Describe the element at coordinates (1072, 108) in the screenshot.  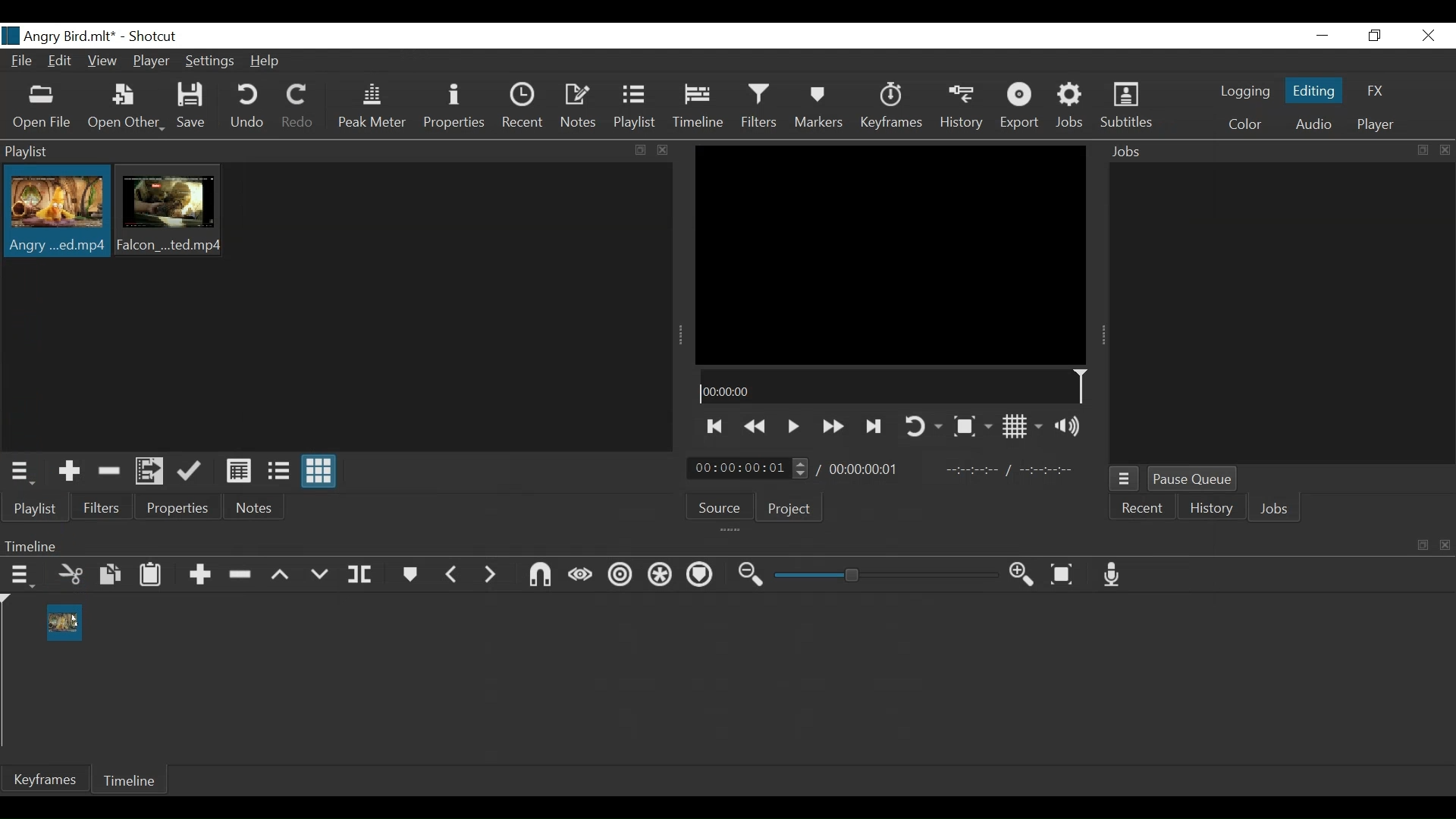
I see `Jobs` at that location.